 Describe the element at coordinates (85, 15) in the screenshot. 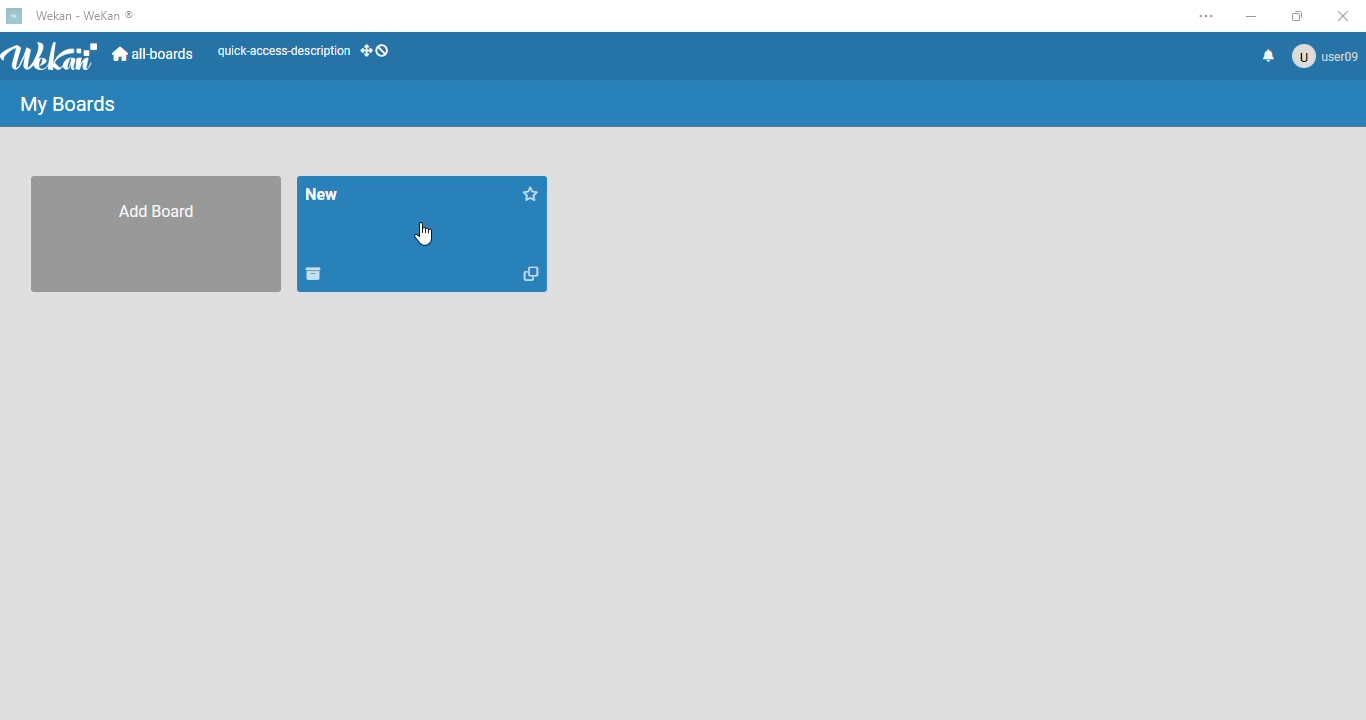

I see `wekan - wekan` at that location.